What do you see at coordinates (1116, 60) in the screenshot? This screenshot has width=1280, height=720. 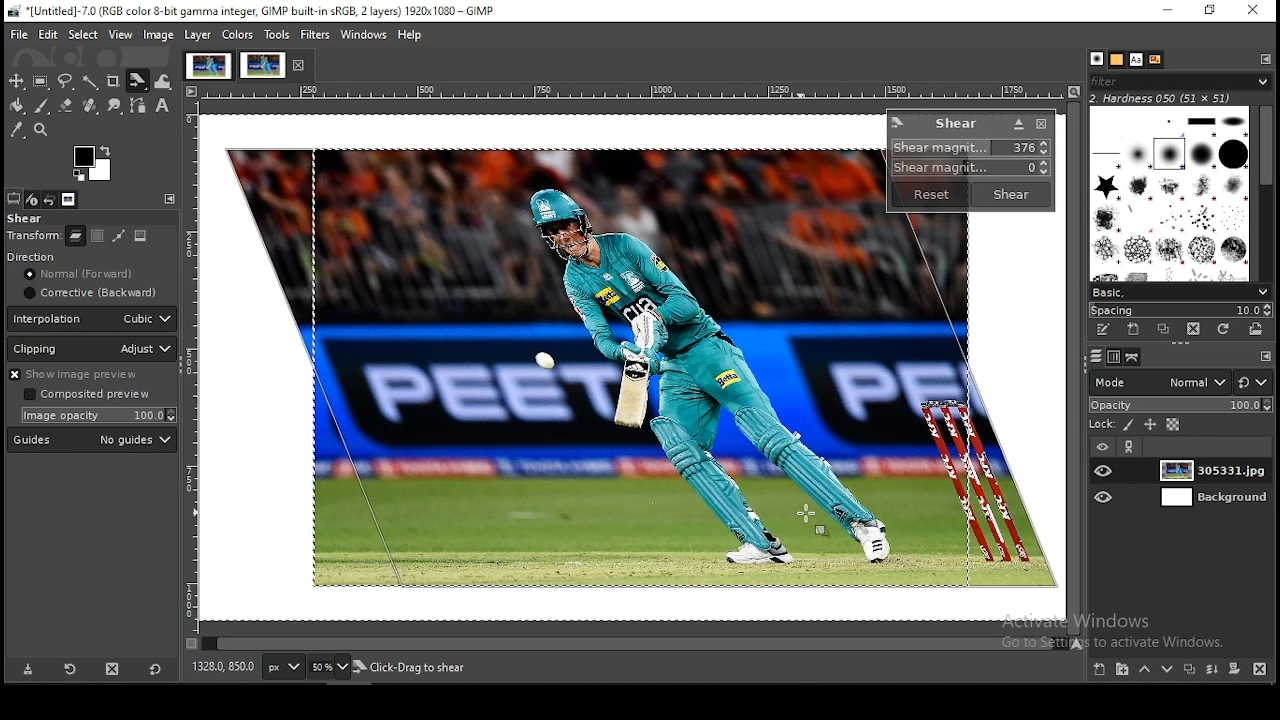 I see `brushes` at bounding box center [1116, 60].